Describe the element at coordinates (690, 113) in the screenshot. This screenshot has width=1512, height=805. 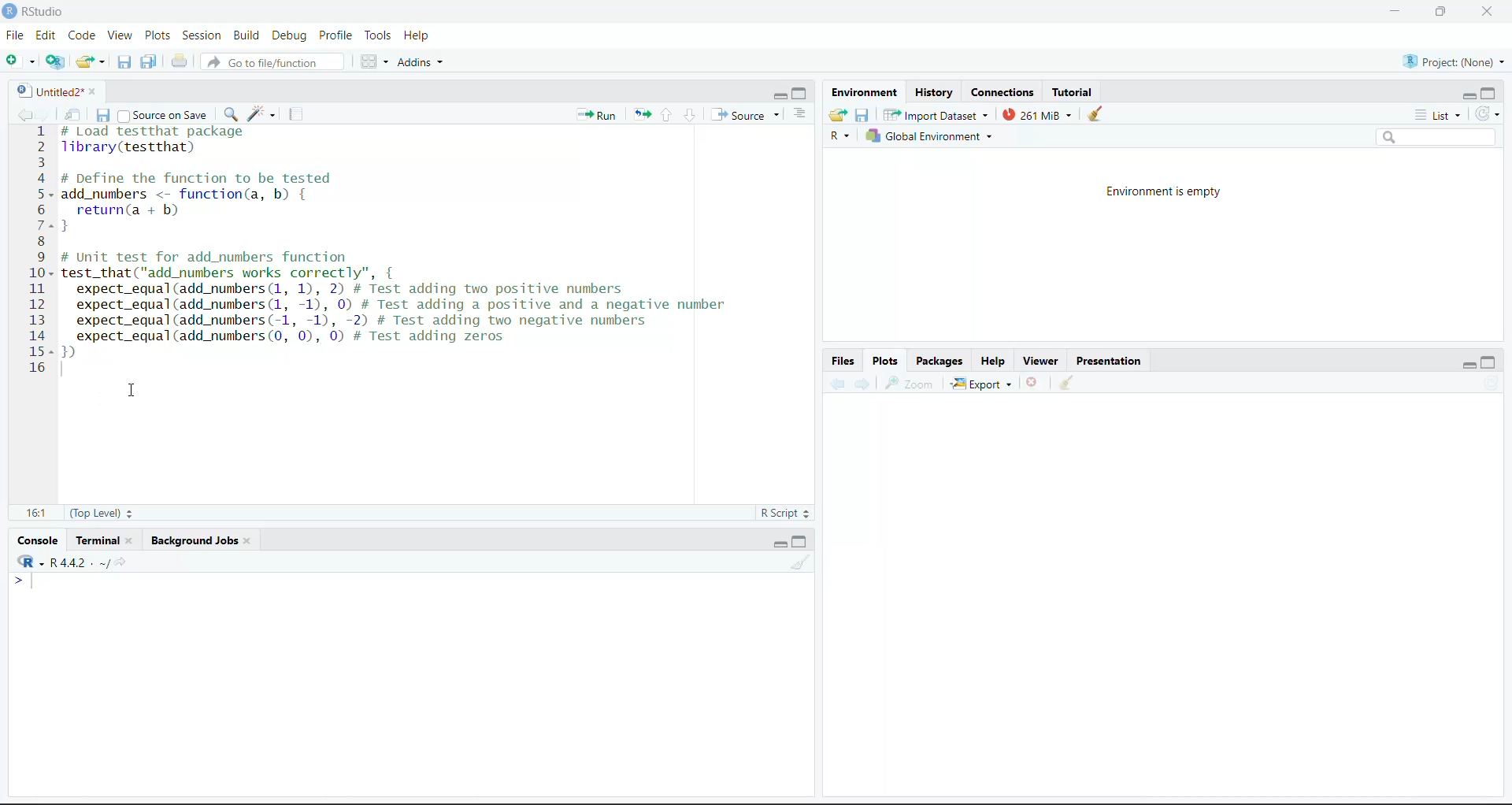
I see `go to next section` at that location.